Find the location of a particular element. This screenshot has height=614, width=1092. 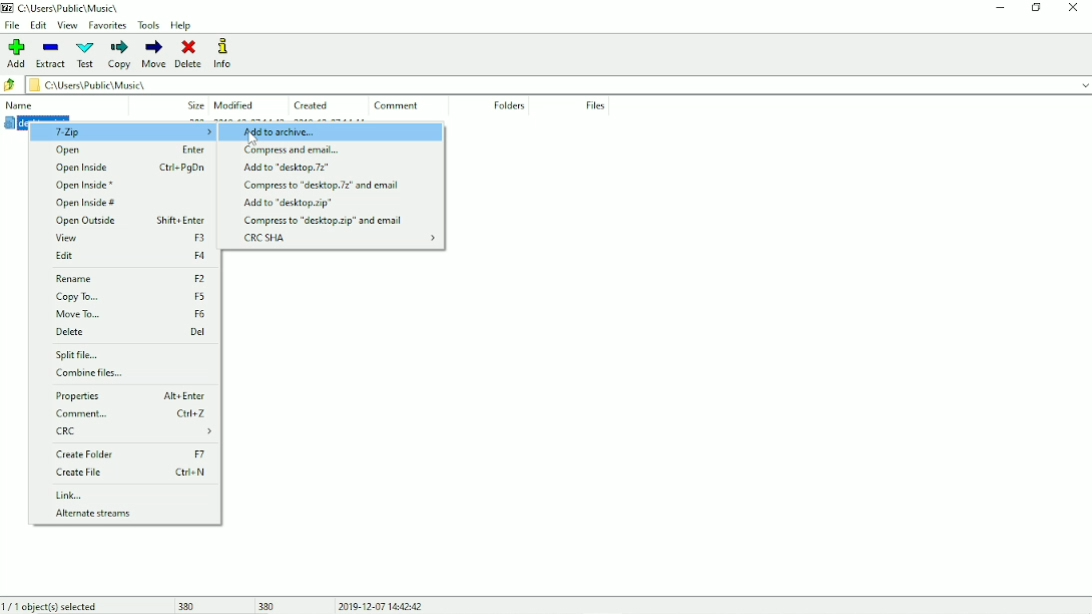

File location is located at coordinates (558, 84).